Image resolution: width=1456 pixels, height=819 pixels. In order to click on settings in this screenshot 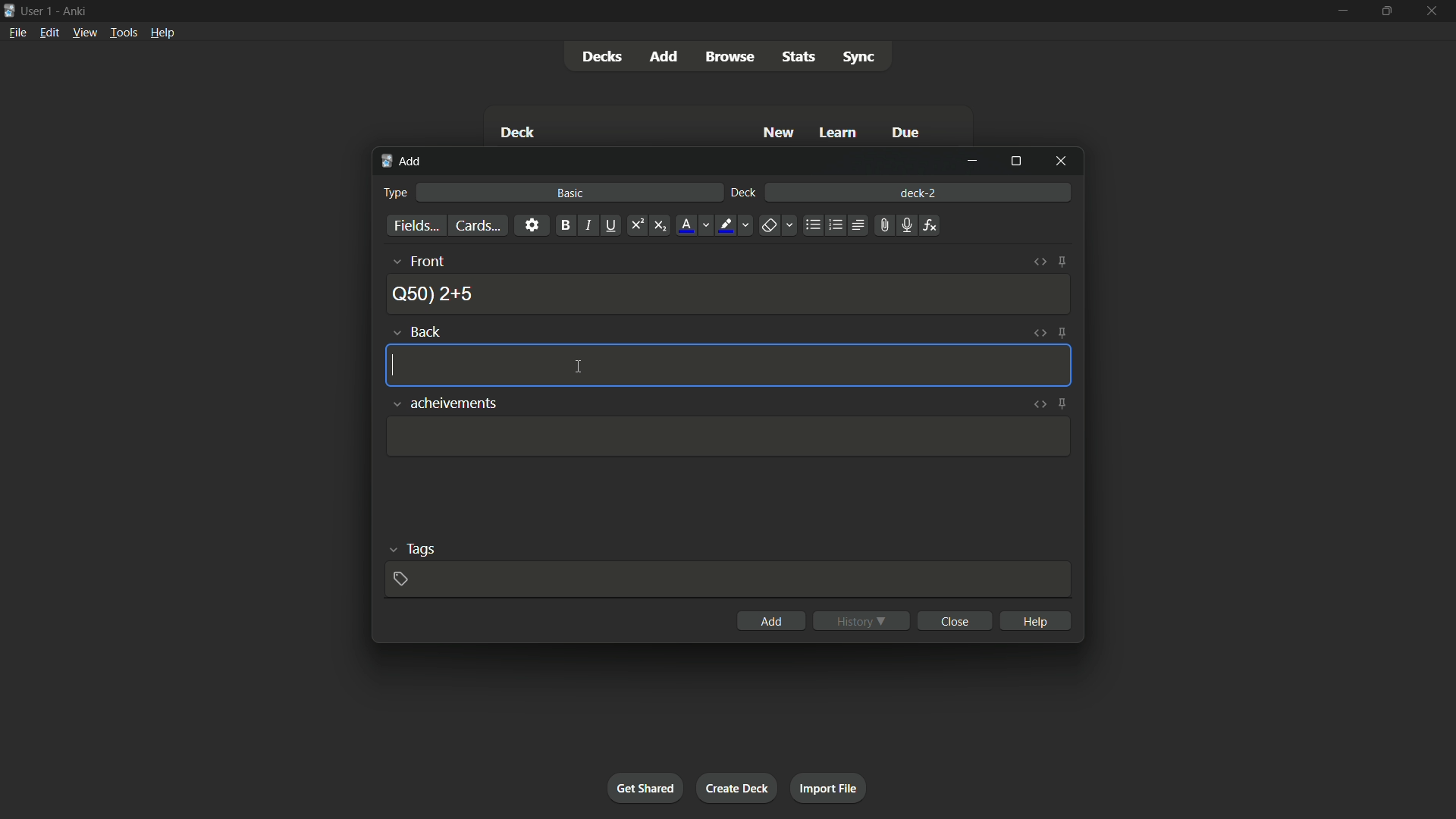, I will do `click(533, 225)`.